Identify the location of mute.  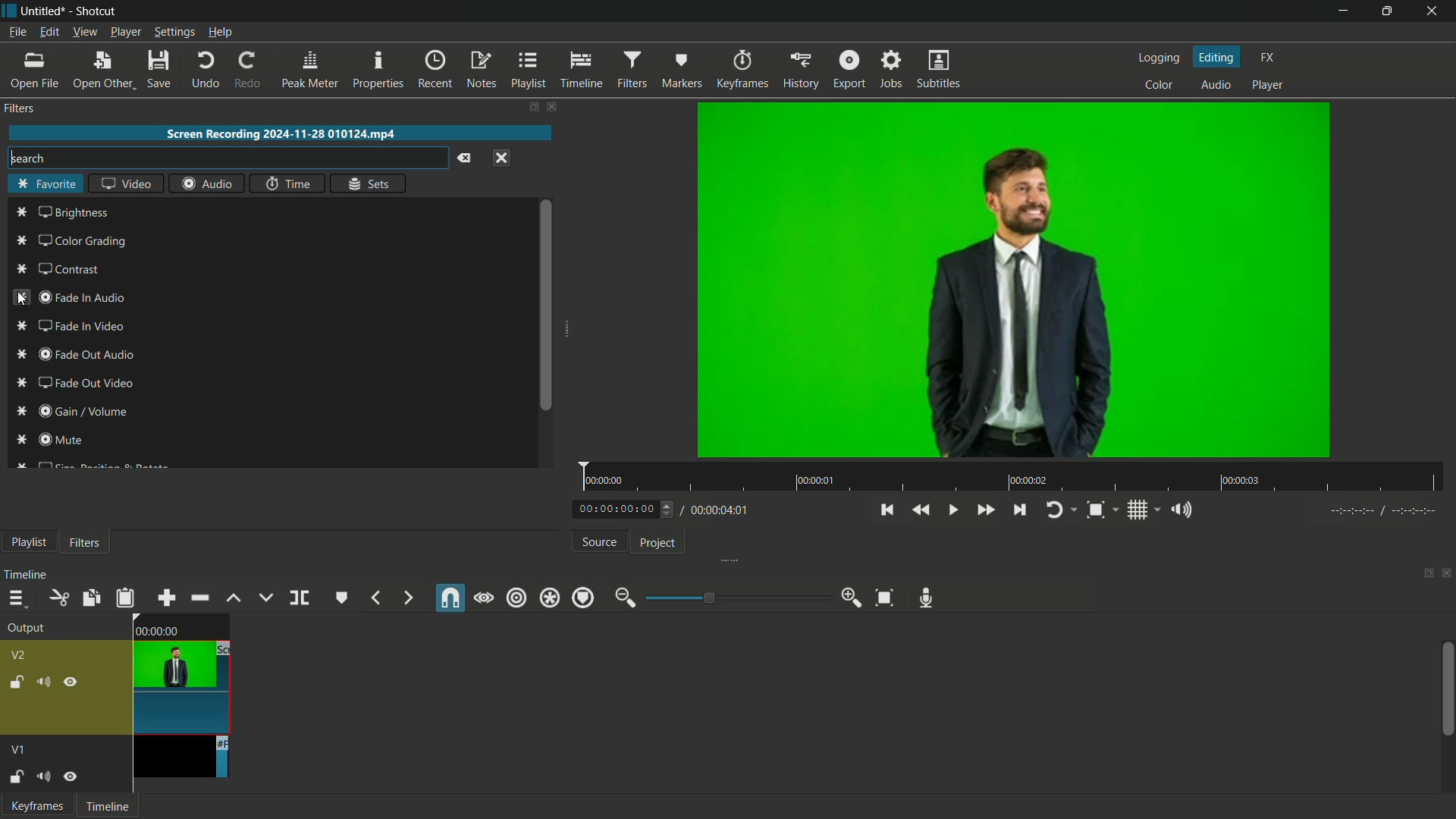
(52, 441).